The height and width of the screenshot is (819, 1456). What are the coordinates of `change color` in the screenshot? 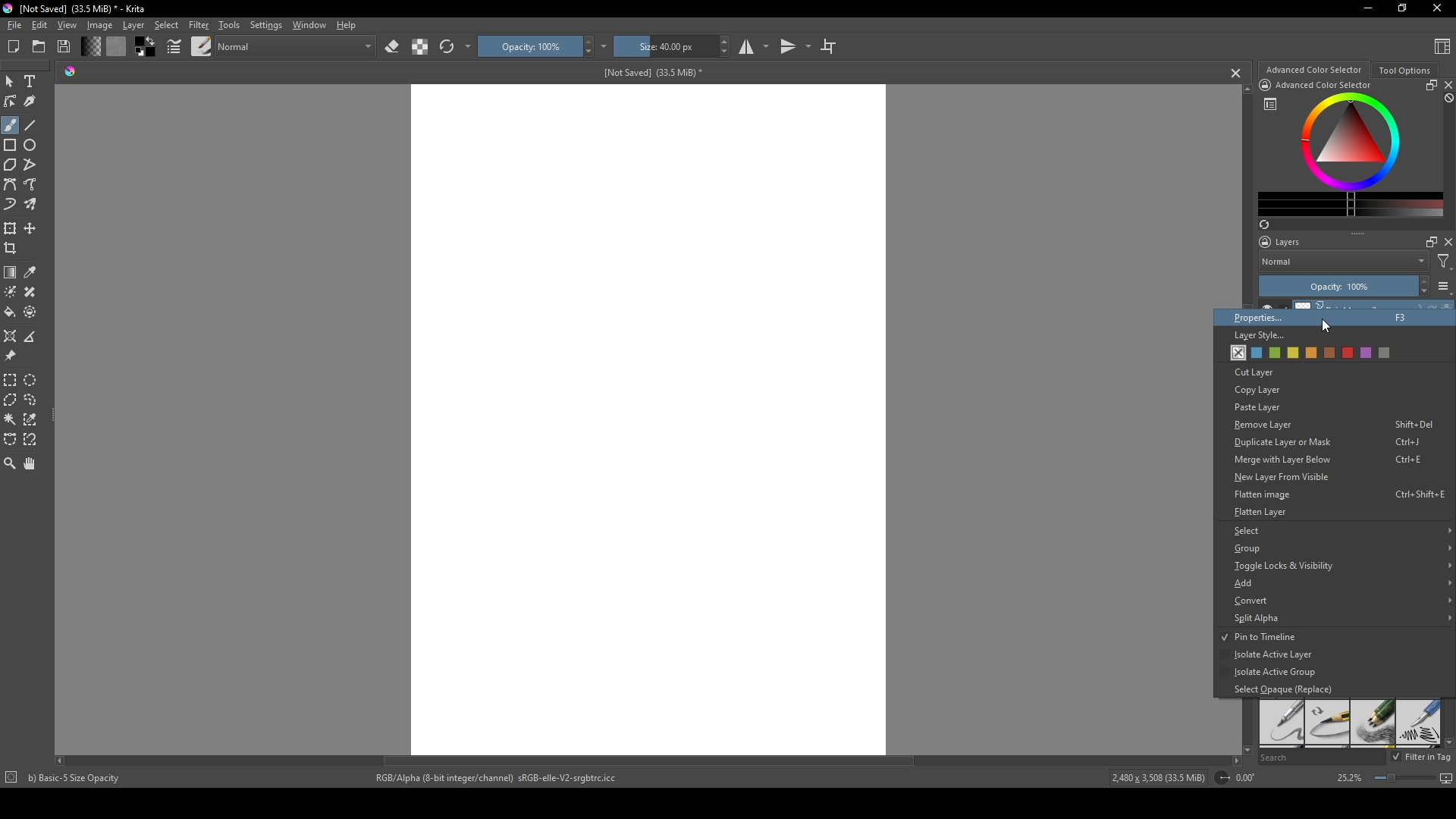 It's located at (1351, 204).